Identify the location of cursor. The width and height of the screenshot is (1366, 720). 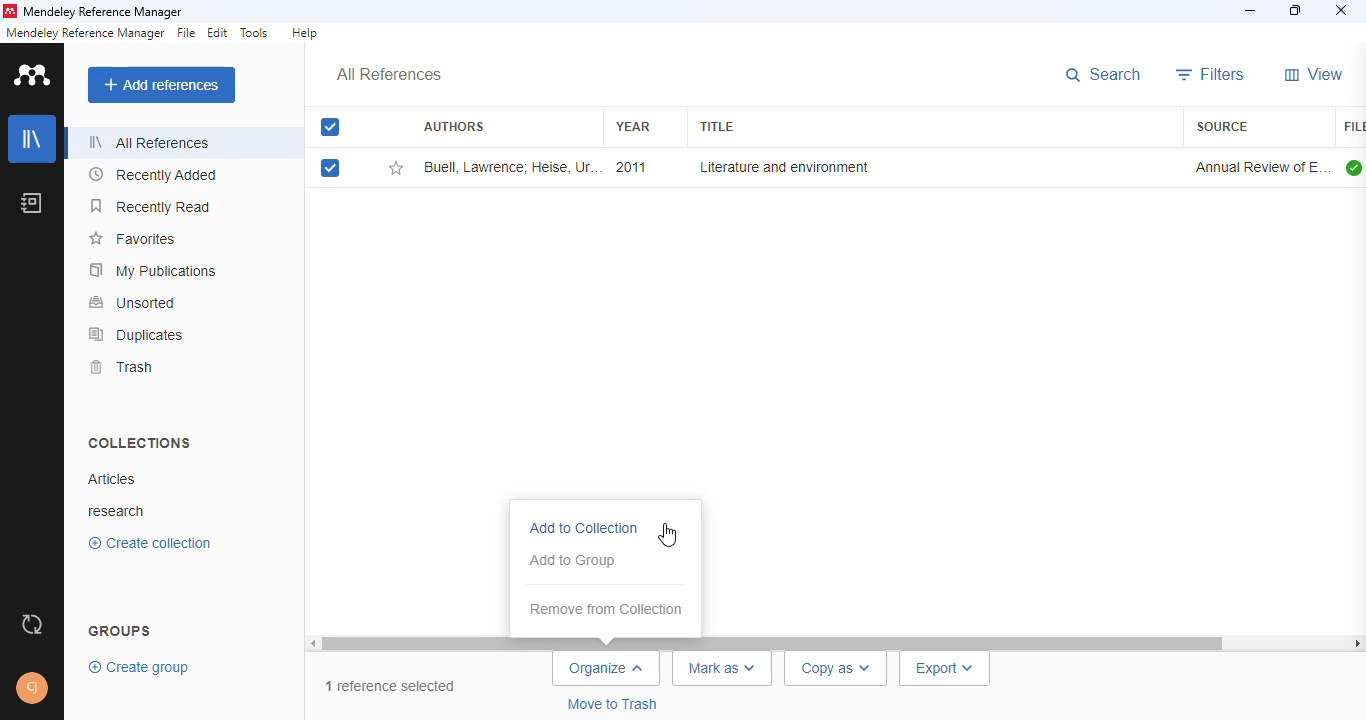
(667, 534).